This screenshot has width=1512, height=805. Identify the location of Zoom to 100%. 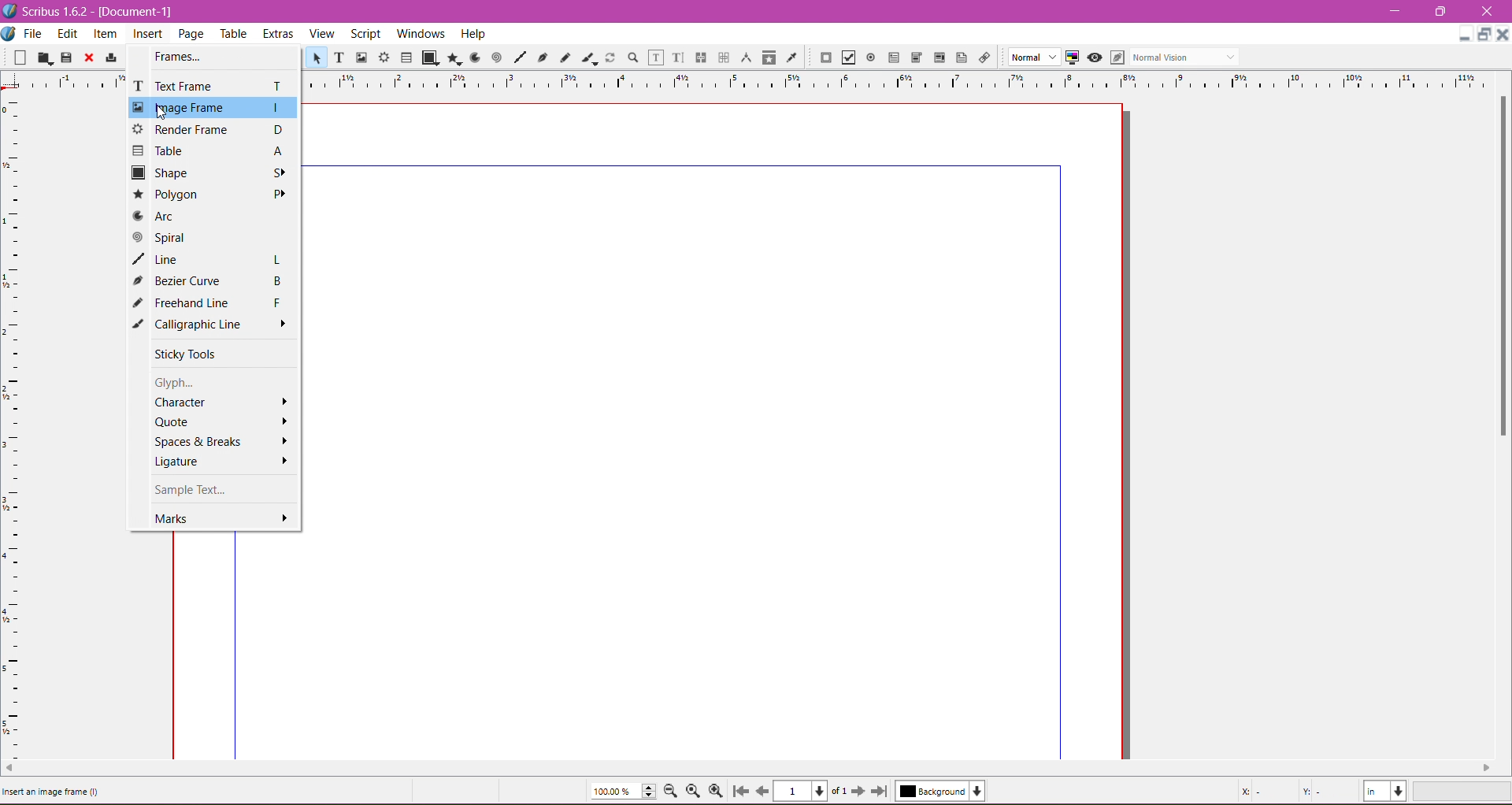
(692, 792).